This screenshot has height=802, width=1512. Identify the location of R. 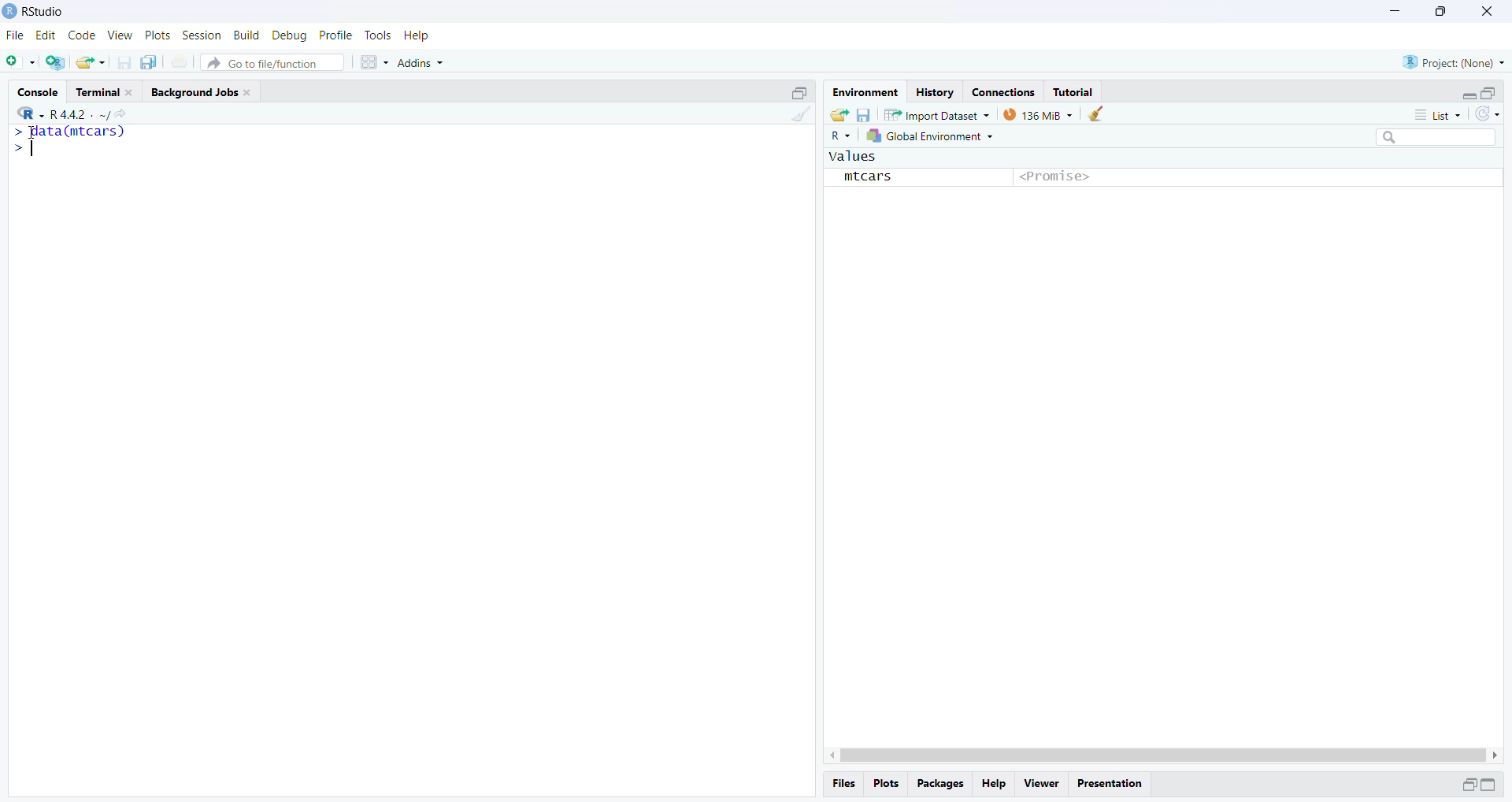
(842, 136).